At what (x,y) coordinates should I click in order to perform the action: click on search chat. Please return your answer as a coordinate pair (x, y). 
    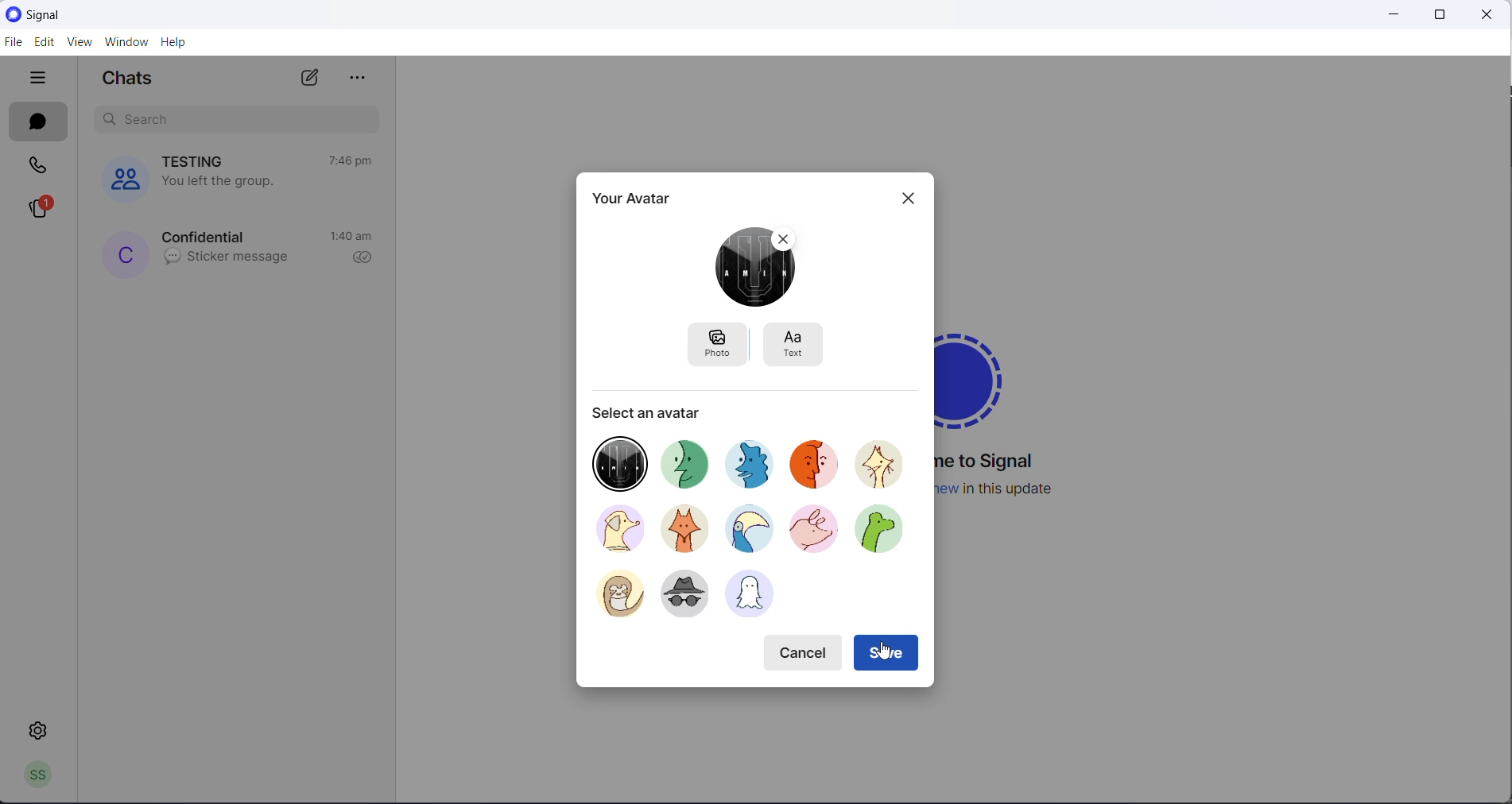
    Looking at the image, I should click on (242, 121).